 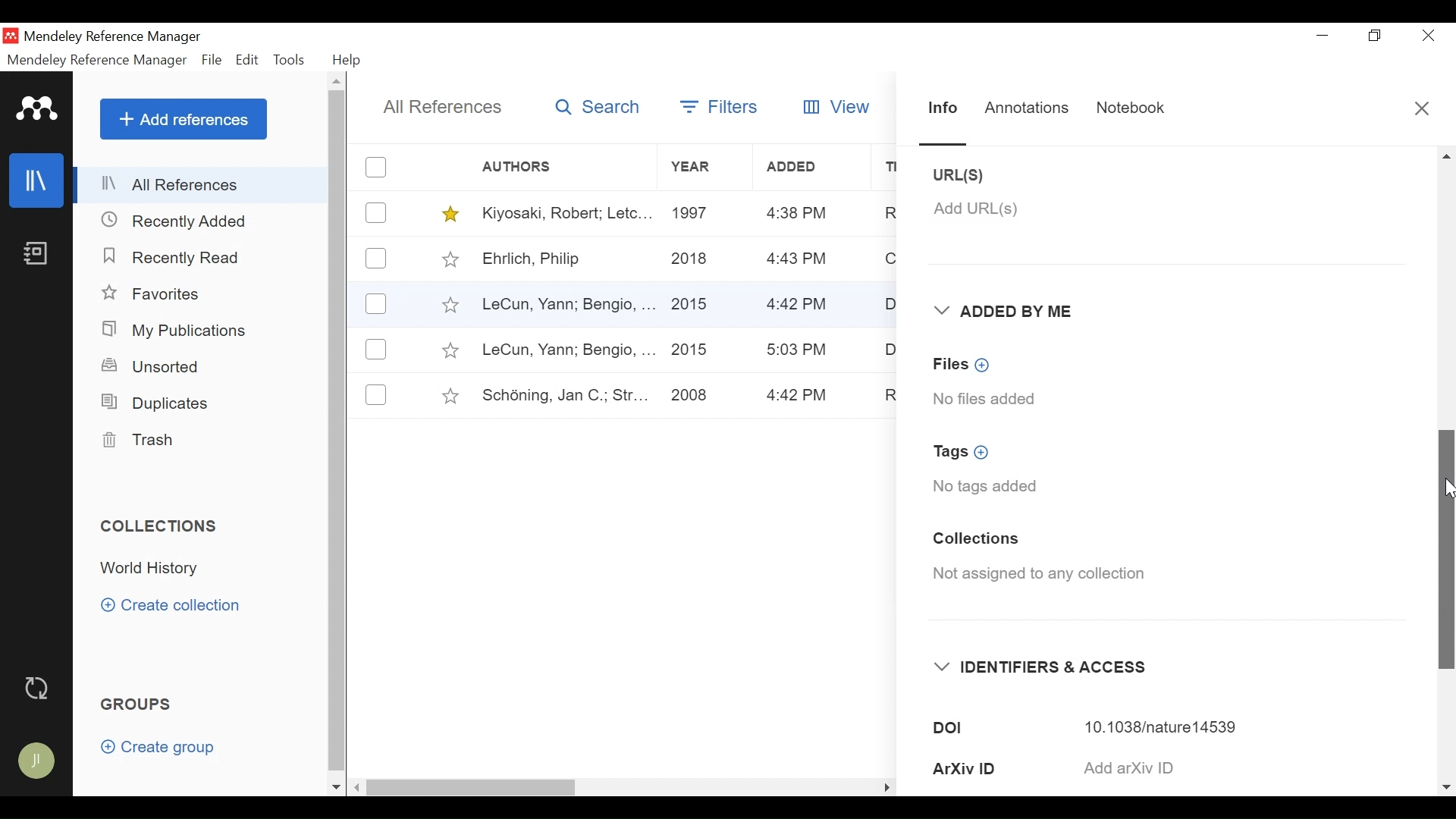 What do you see at coordinates (12, 36) in the screenshot?
I see `Mendeley Desktop Icon` at bounding box center [12, 36].